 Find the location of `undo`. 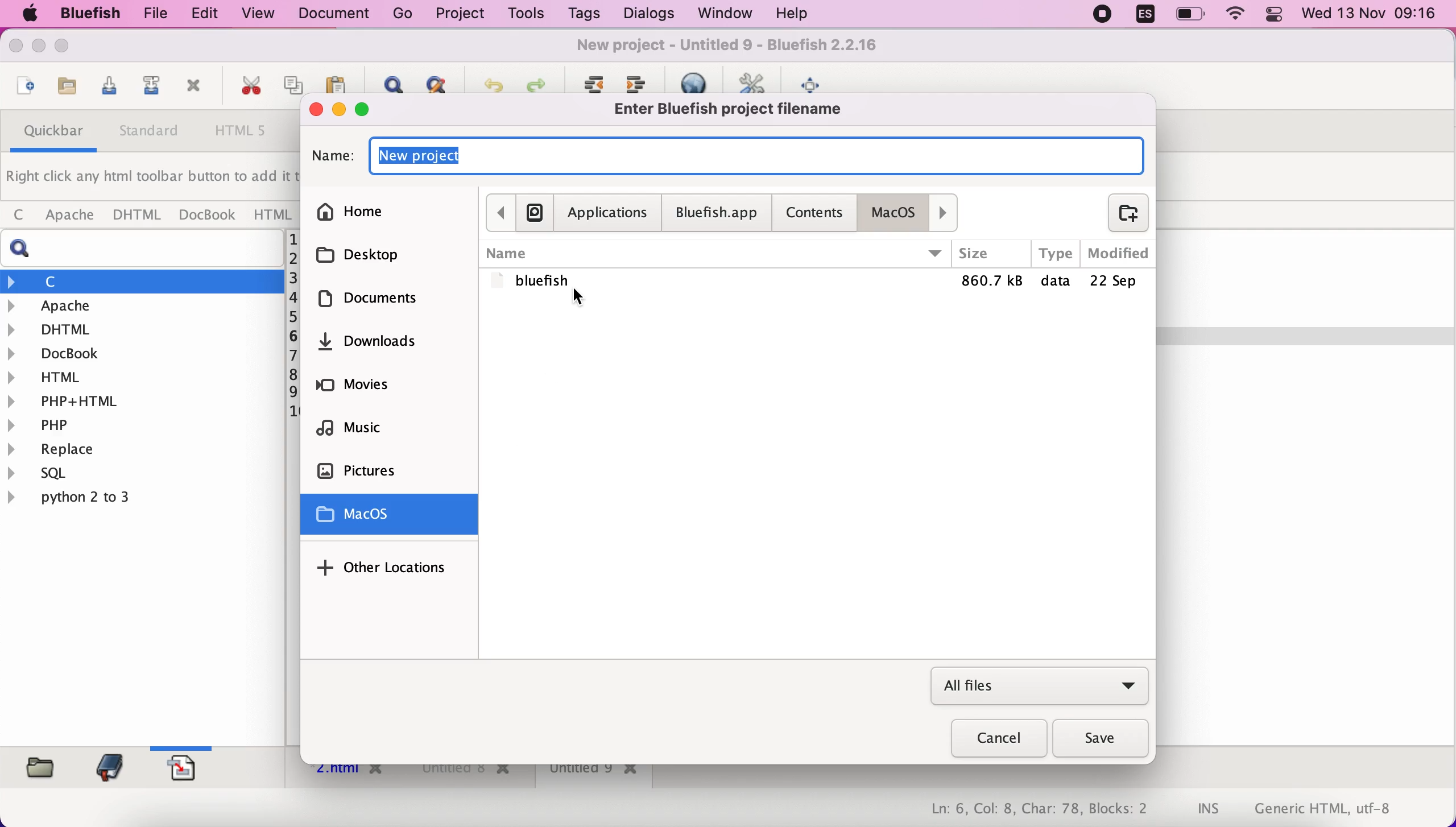

undo is located at coordinates (488, 82).